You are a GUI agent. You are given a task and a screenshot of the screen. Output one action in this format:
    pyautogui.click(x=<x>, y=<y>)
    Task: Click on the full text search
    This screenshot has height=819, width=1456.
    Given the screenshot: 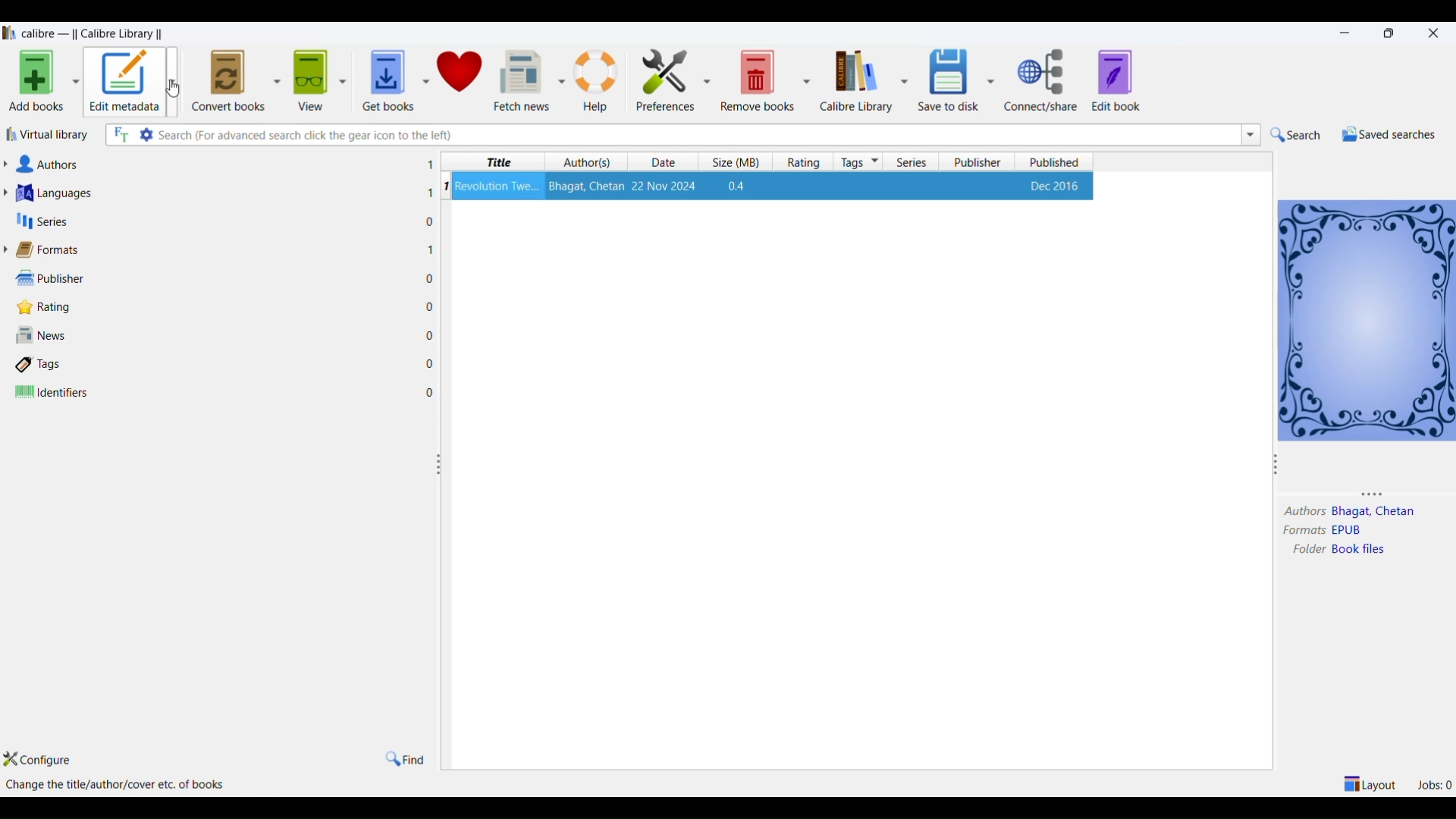 What is the action you would take?
    pyautogui.click(x=119, y=136)
    